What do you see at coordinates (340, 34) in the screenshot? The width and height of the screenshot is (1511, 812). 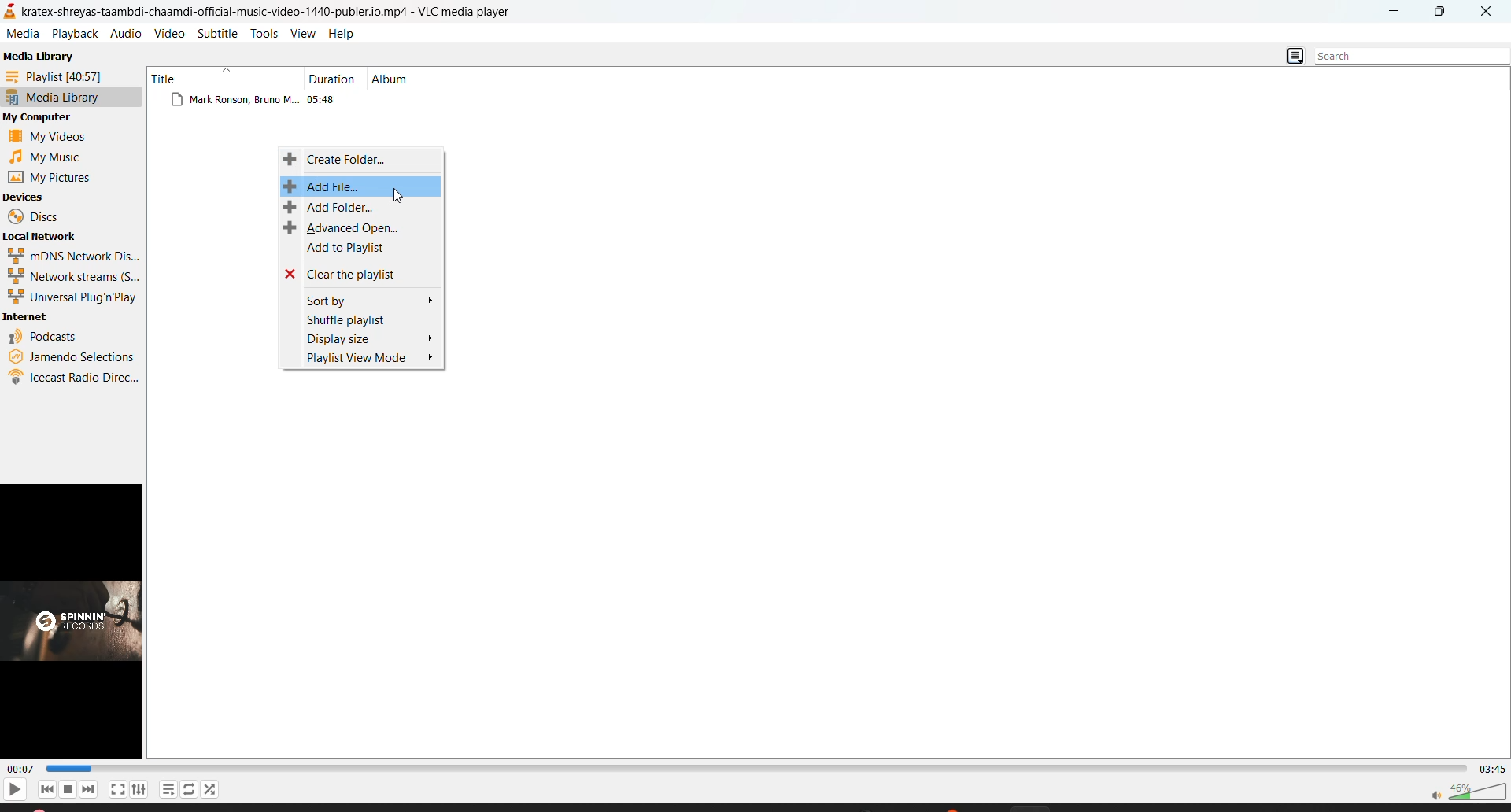 I see `help` at bounding box center [340, 34].